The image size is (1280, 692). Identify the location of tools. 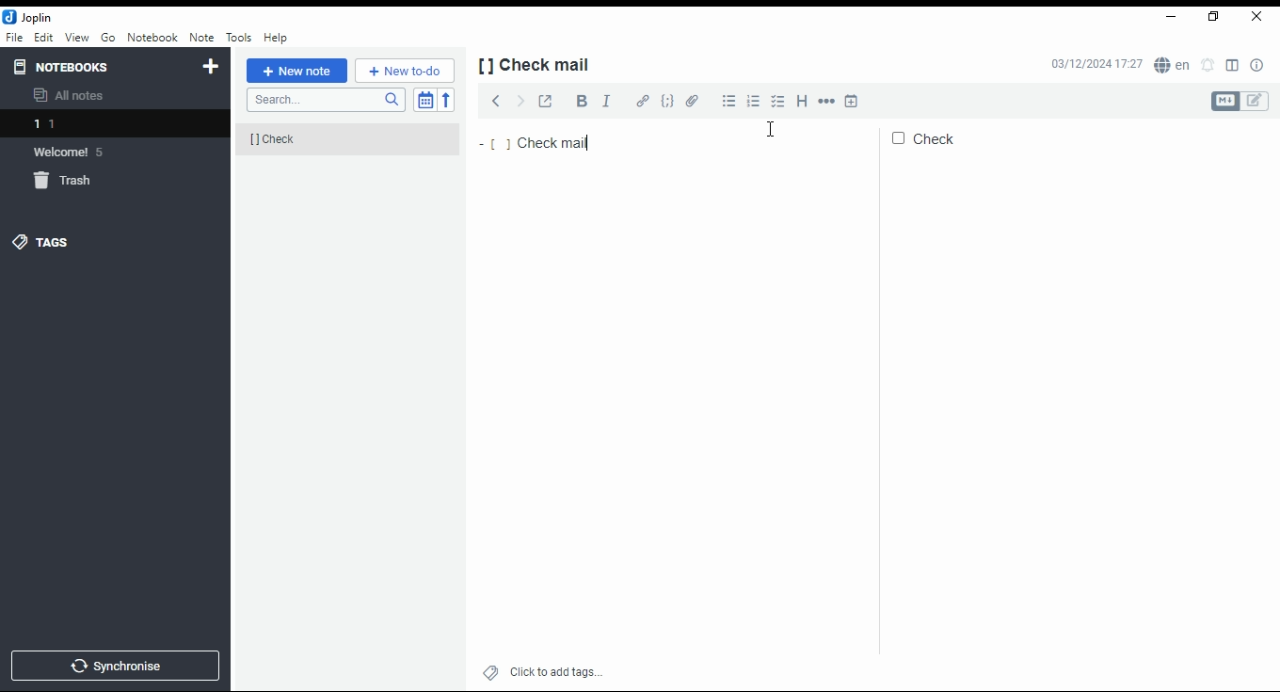
(240, 38).